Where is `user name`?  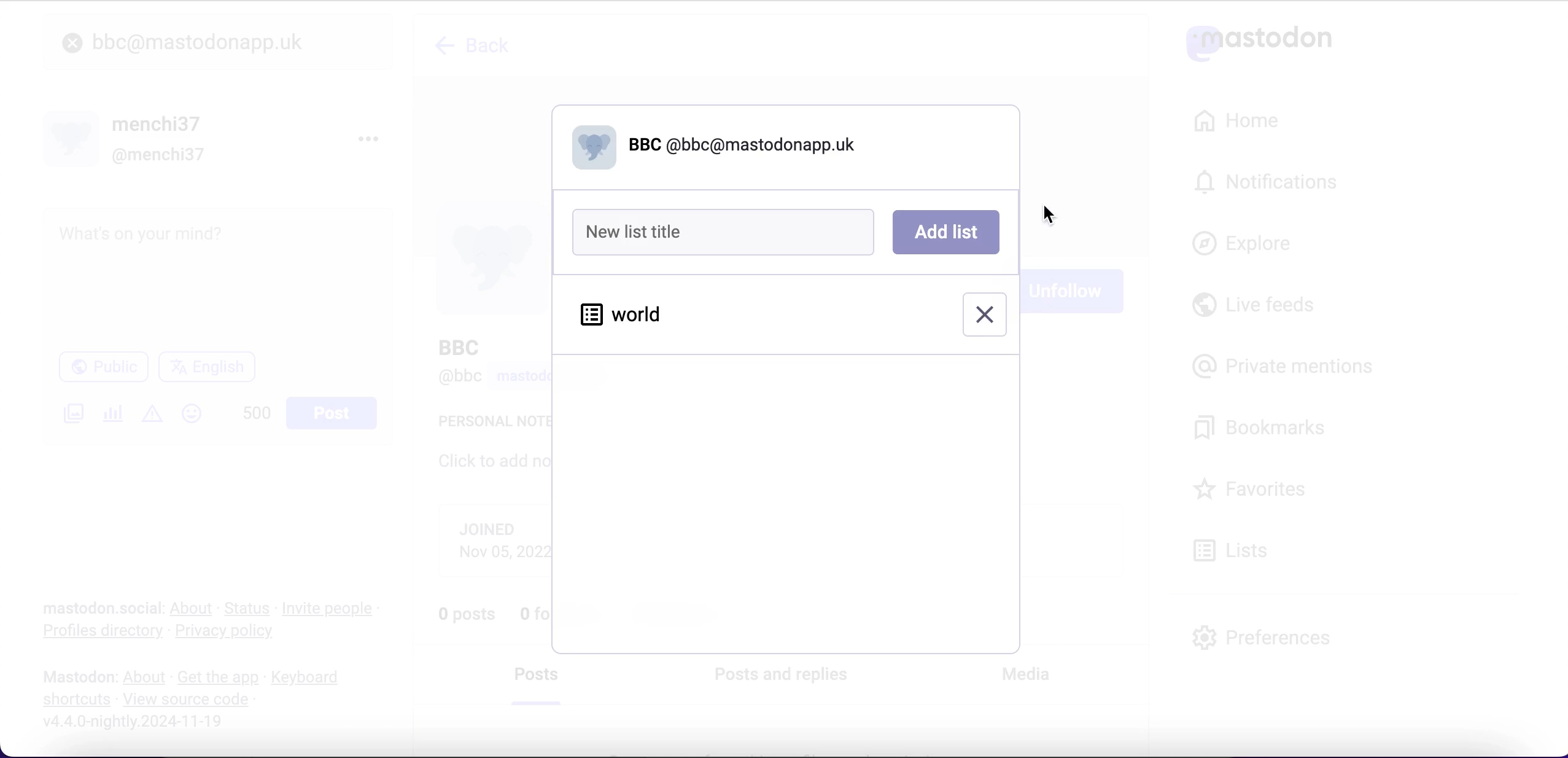
user name is located at coordinates (128, 138).